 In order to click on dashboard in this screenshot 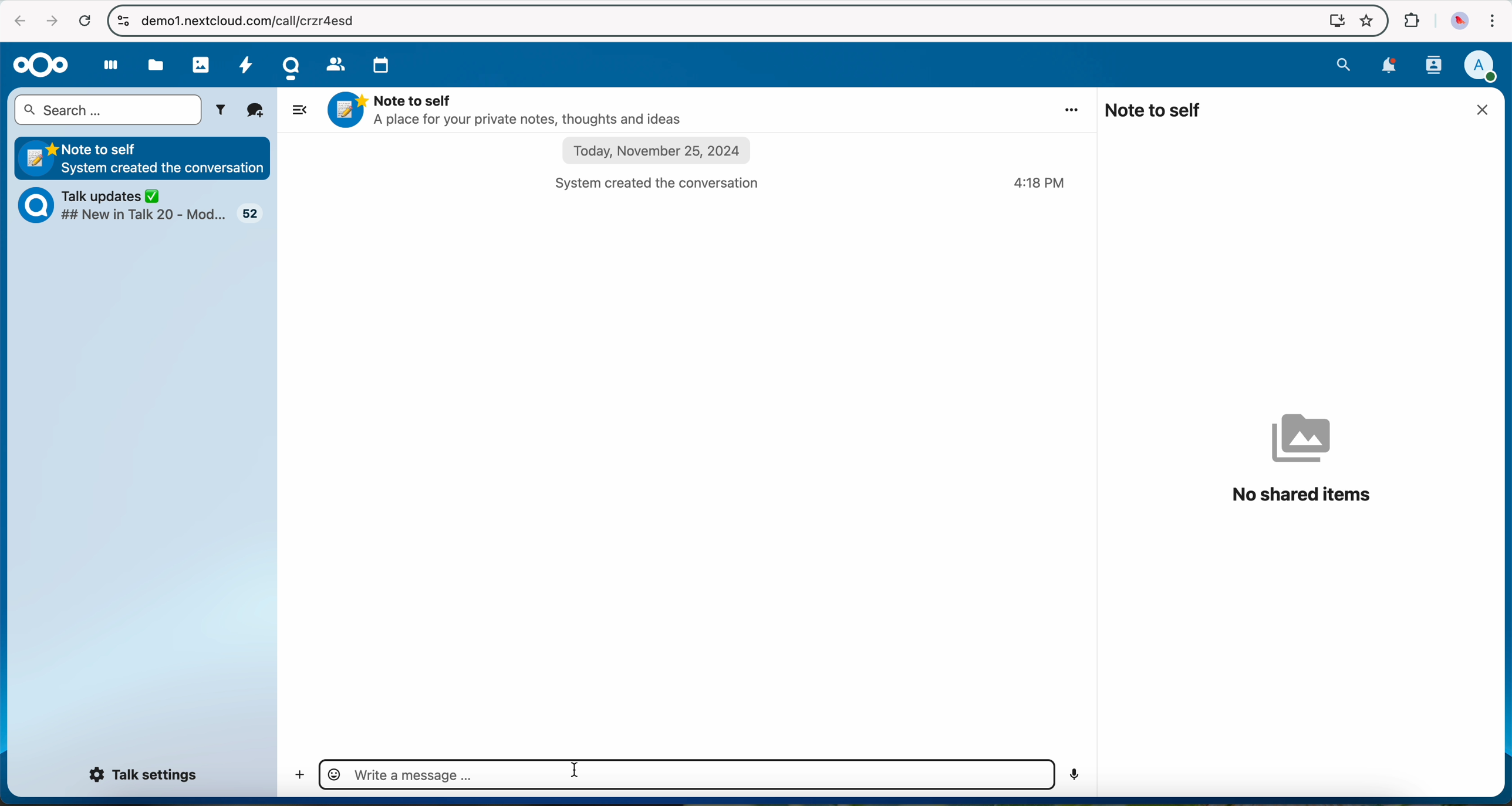, I will do `click(105, 69)`.